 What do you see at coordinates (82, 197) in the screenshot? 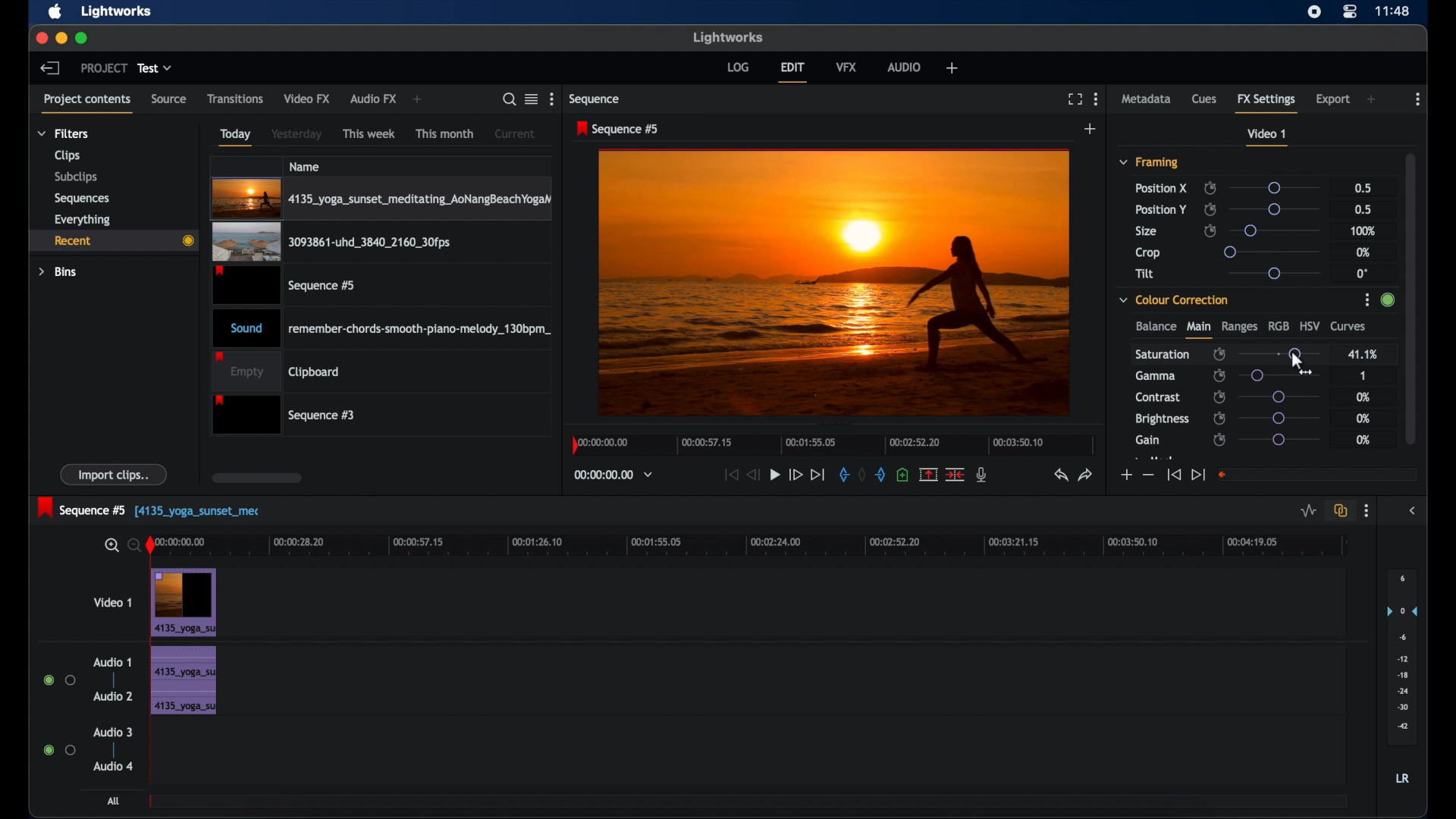
I see `sequences` at bounding box center [82, 197].